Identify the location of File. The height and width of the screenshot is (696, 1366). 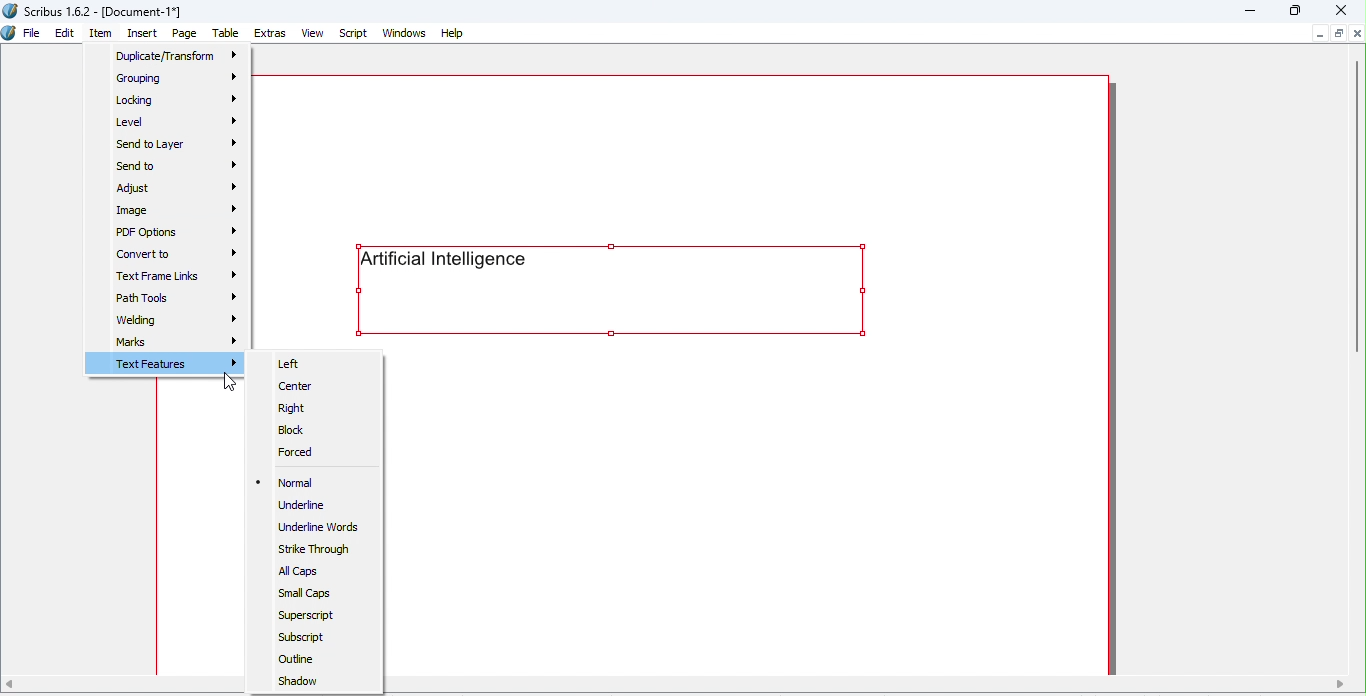
(31, 34).